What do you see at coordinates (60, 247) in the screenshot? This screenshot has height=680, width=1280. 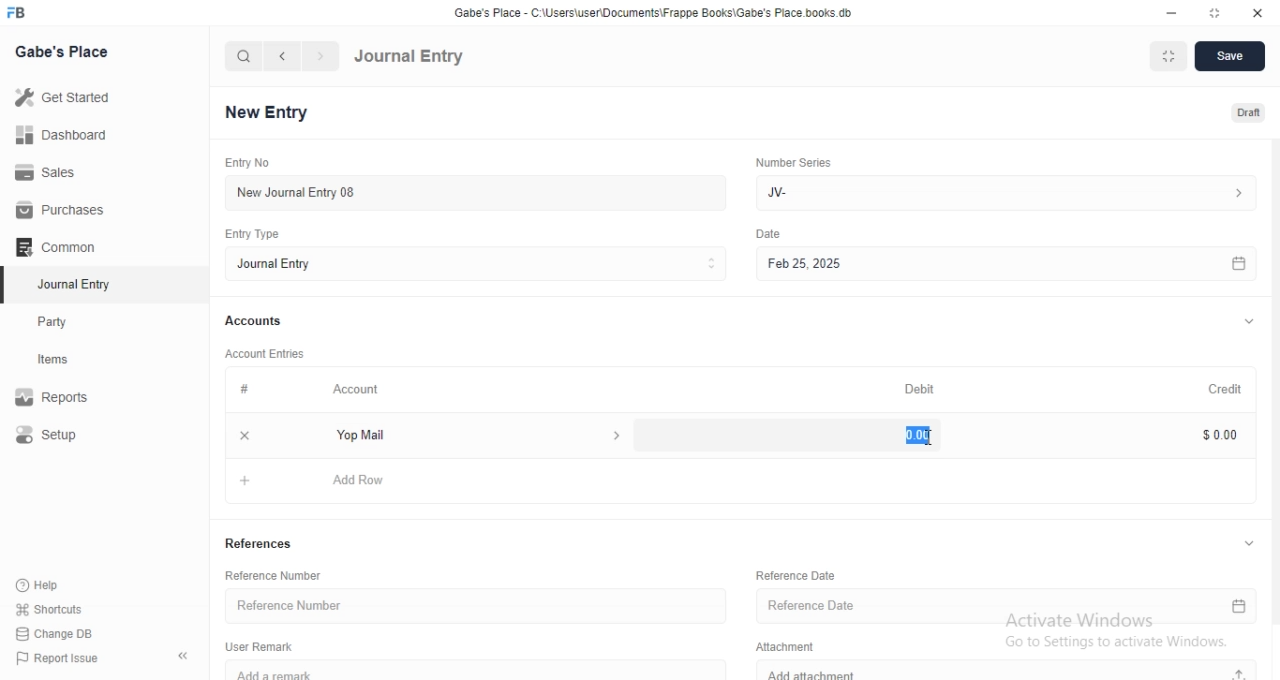 I see `Common` at bounding box center [60, 247].